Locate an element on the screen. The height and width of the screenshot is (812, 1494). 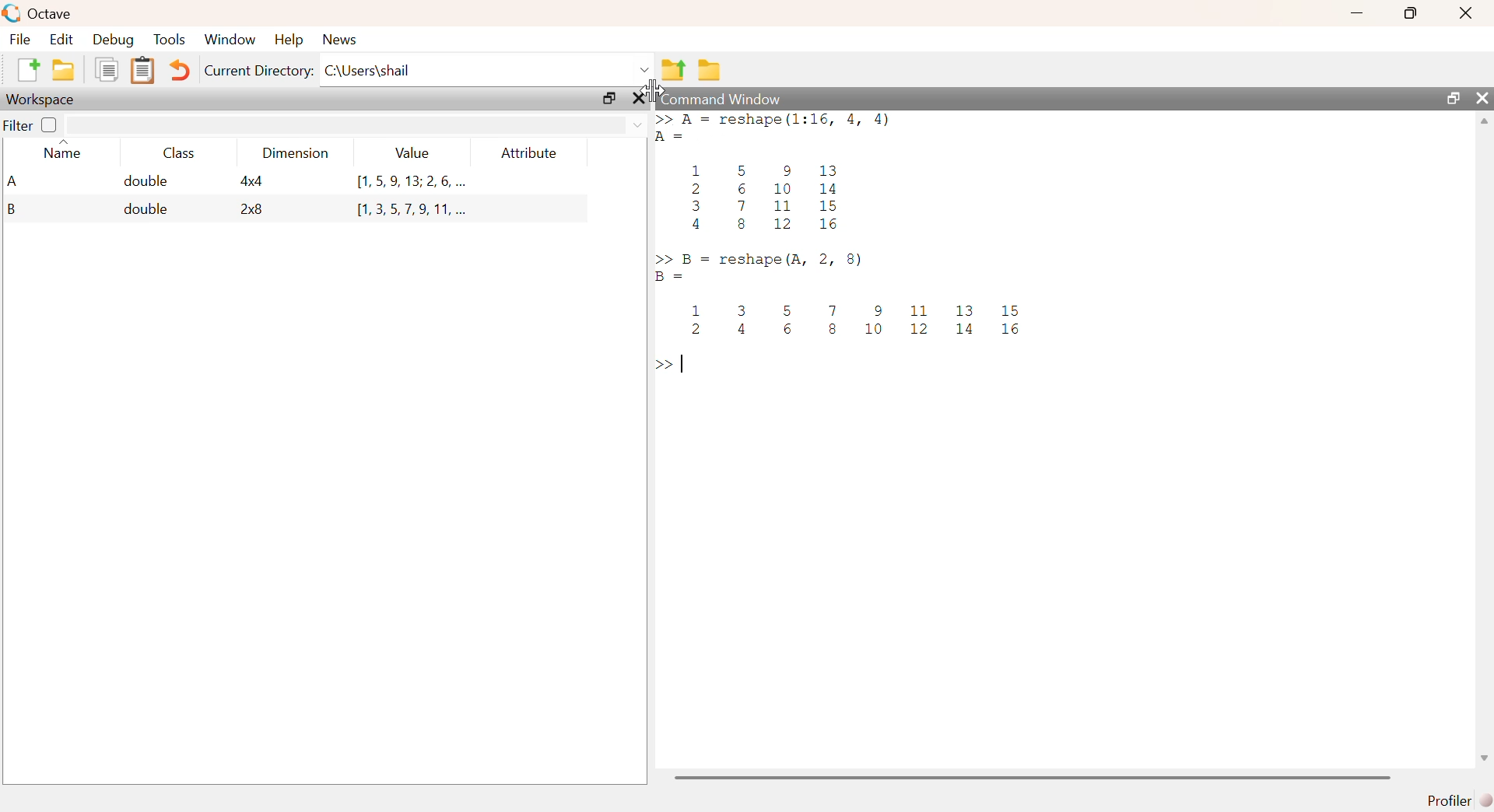
1,5,9,13;2,6, .. is located at coordinates (412, 181).